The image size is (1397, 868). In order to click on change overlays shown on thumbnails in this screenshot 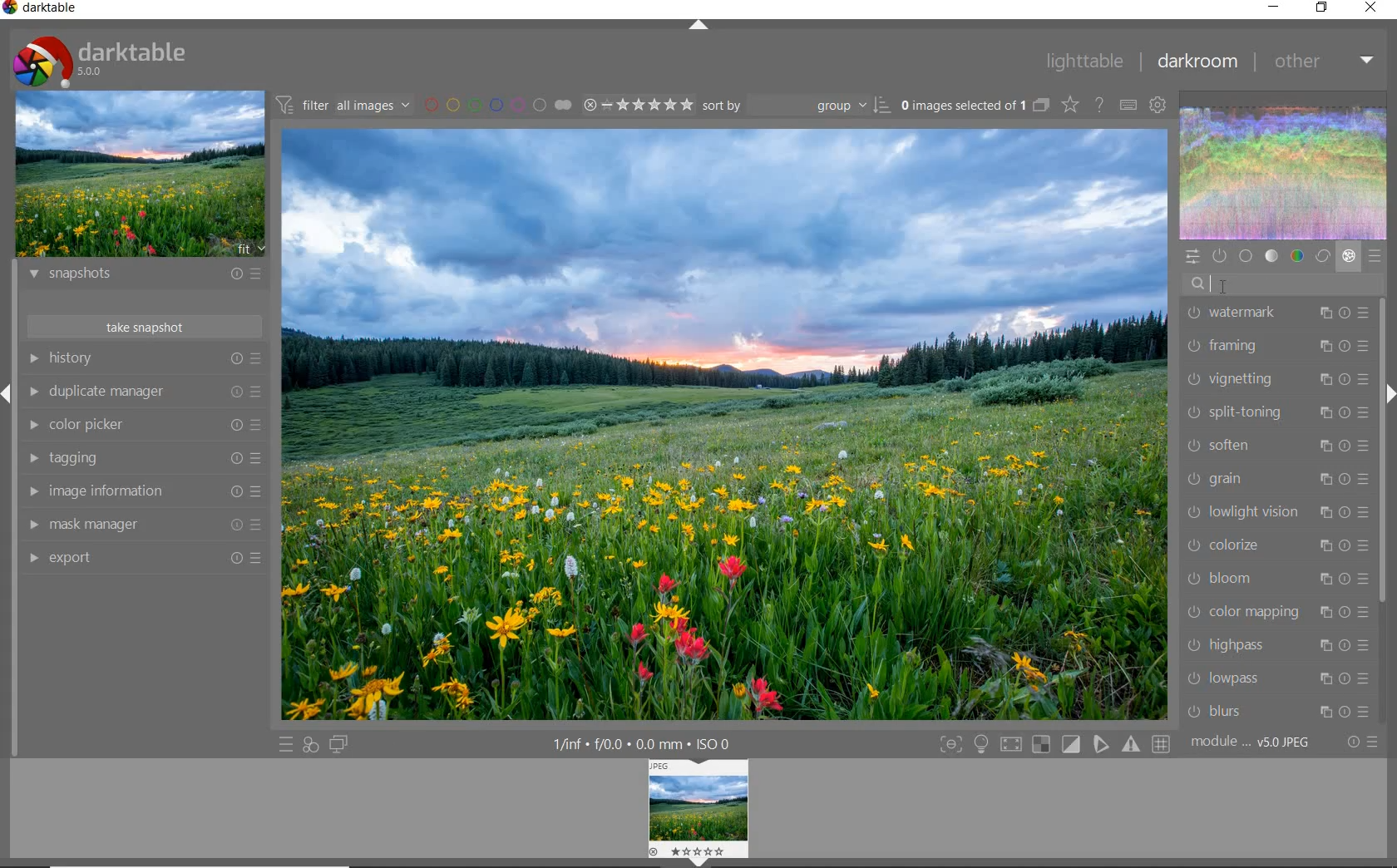, I will do `click(1069, 106)`.